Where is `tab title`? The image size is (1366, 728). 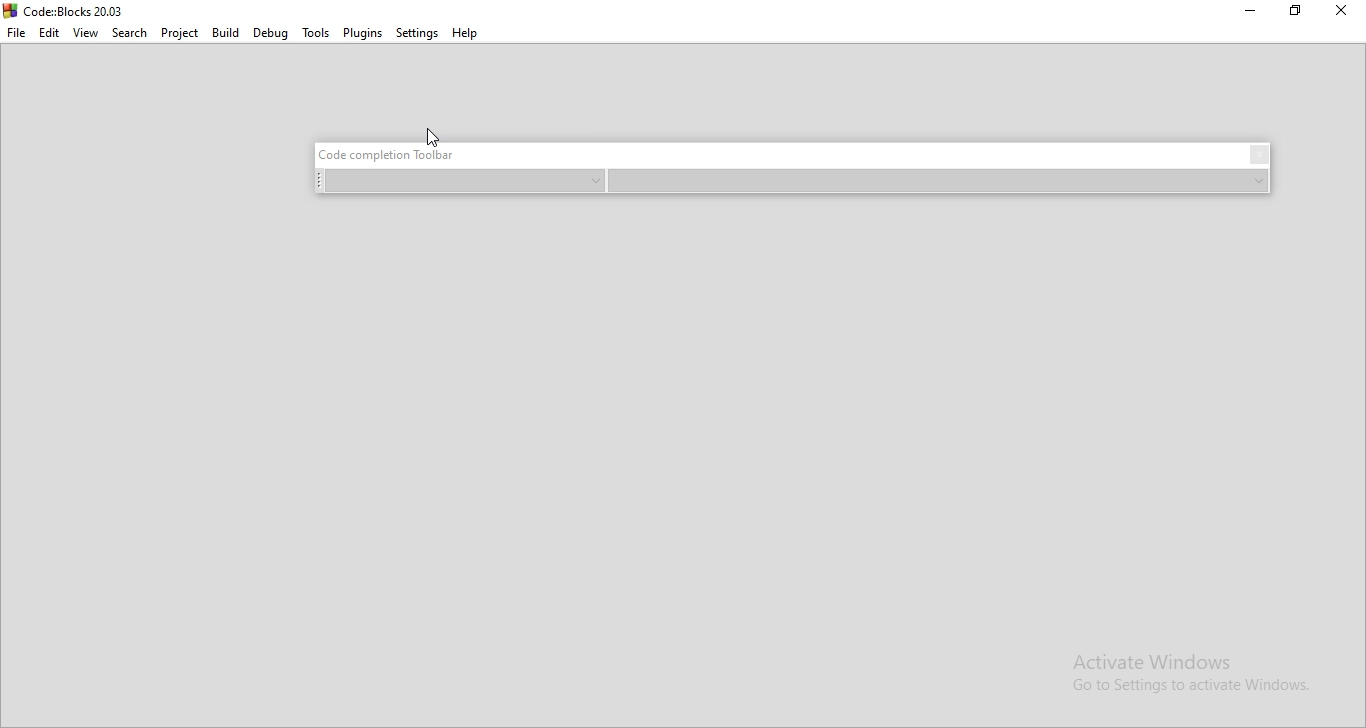 tab title is located at coordinates (393, 154).